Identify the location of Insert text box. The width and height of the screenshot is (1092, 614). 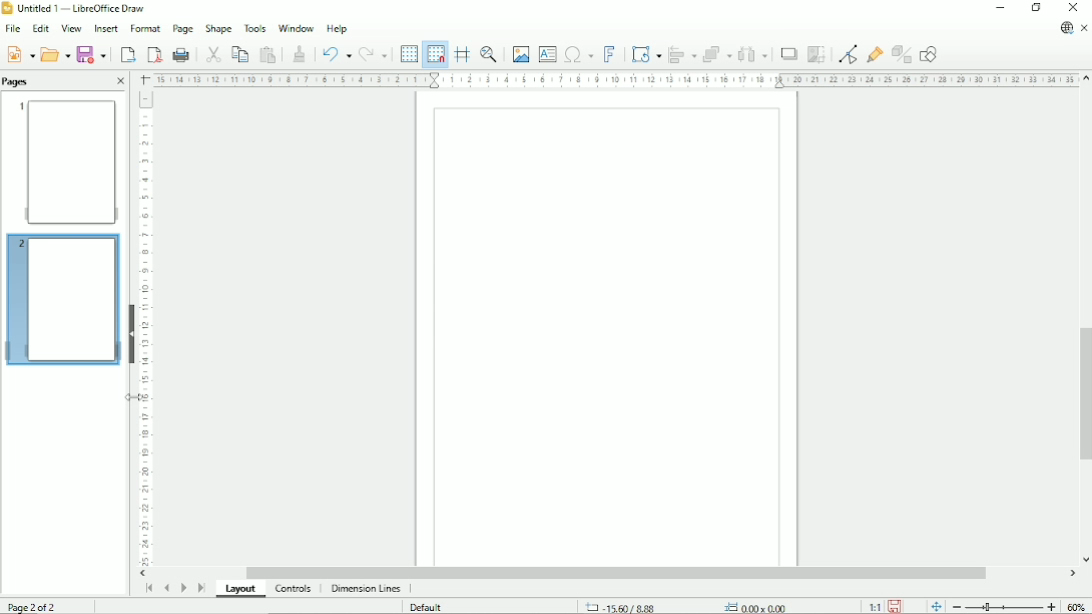
(547, 53).